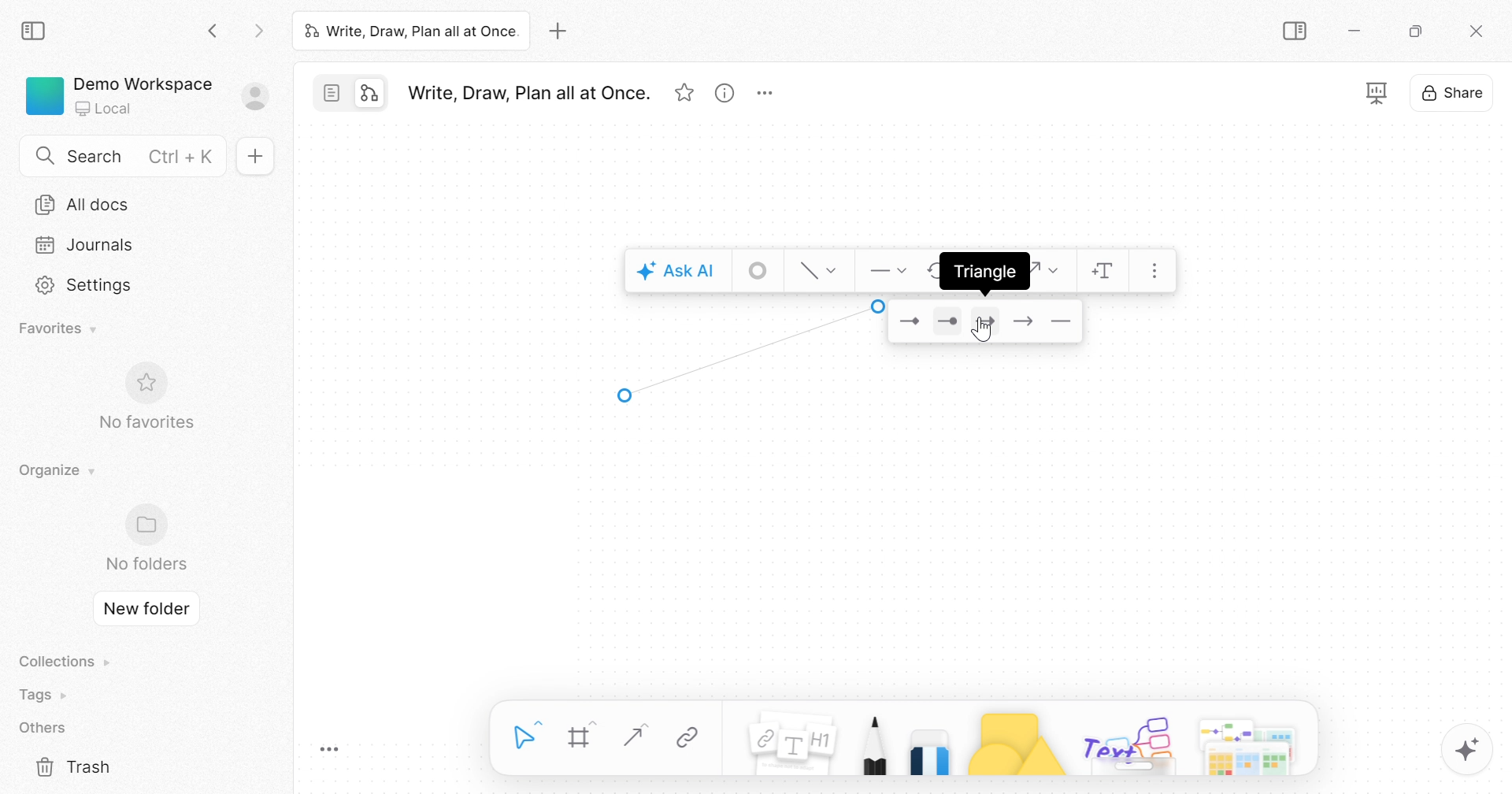 This screenshot has width=1512, height=794. Describe the element at coordinates (43, 729) in the screenshot. I see `Others` at that location.